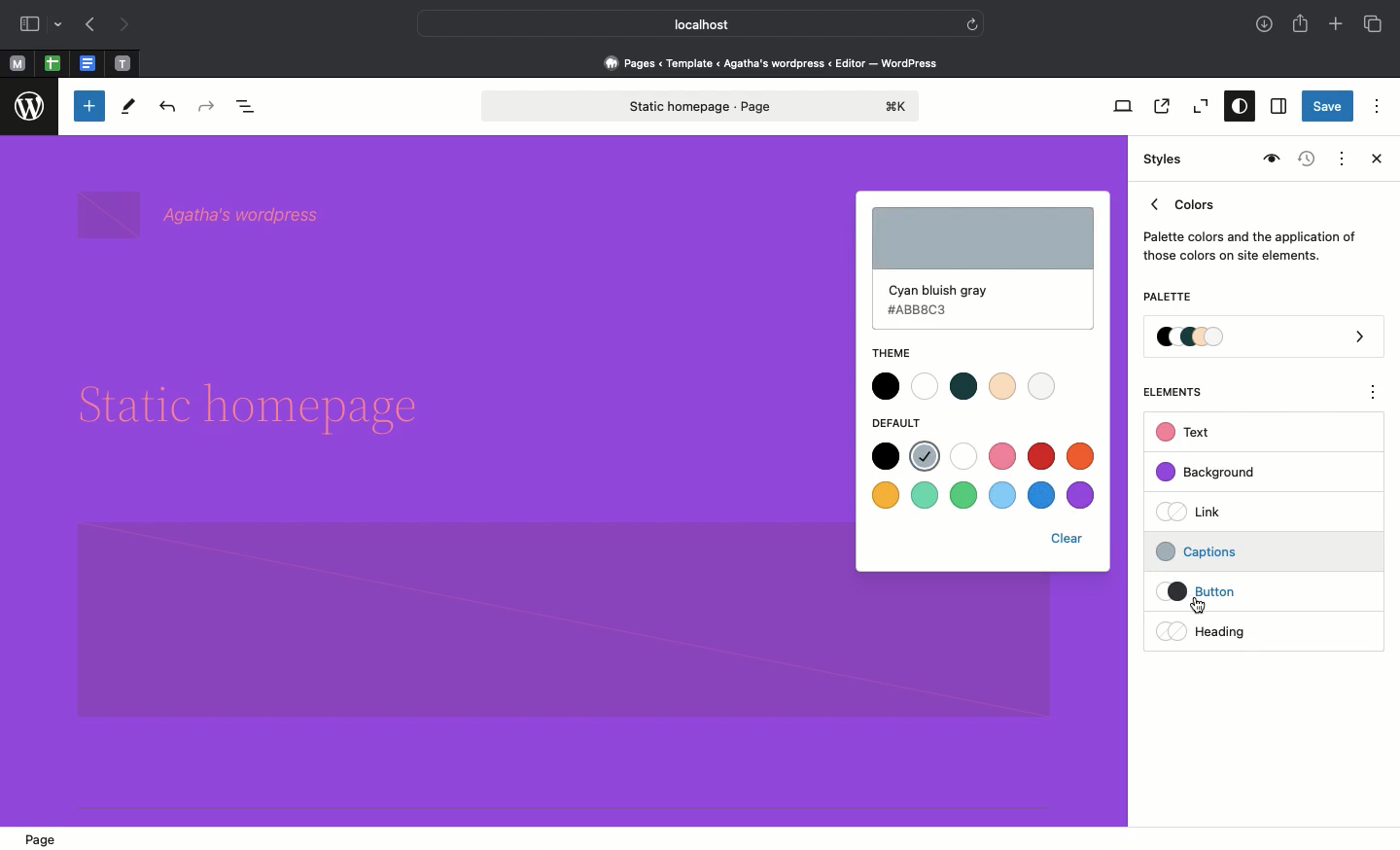  I want to click on View, so click(1119, 106).